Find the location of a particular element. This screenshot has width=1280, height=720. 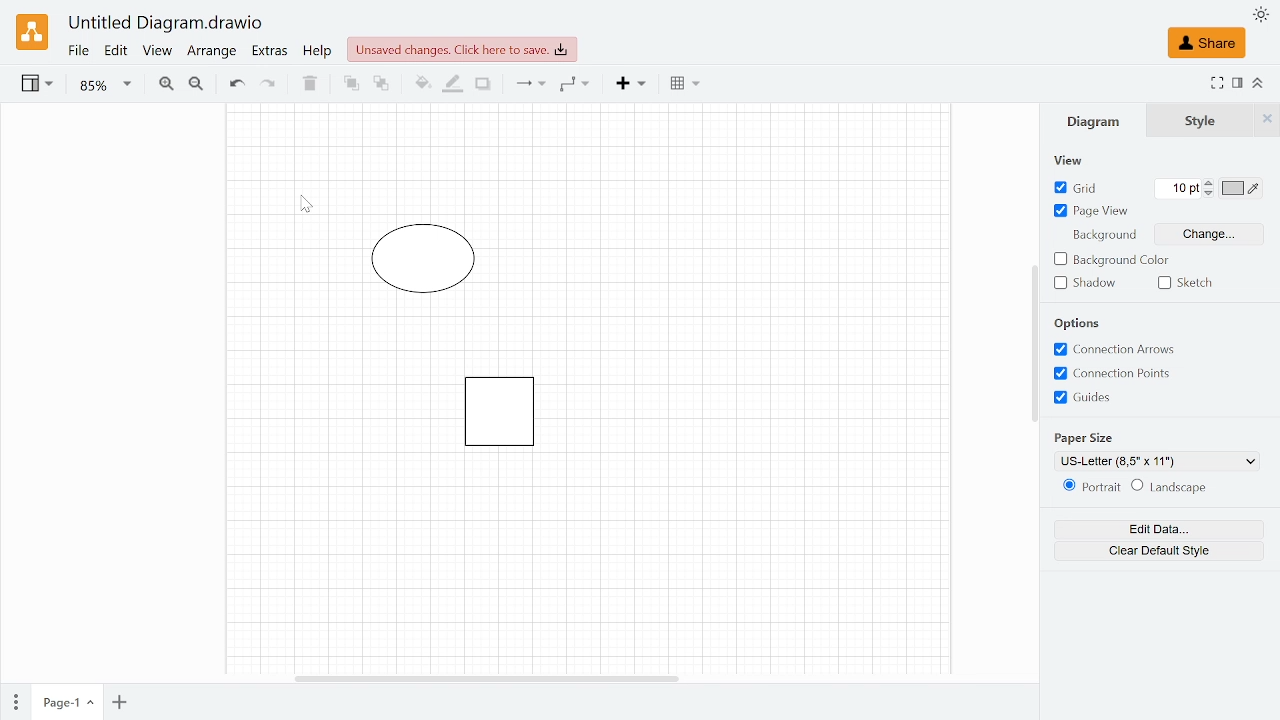

Connections Points is located at coordinates (1116, 375).